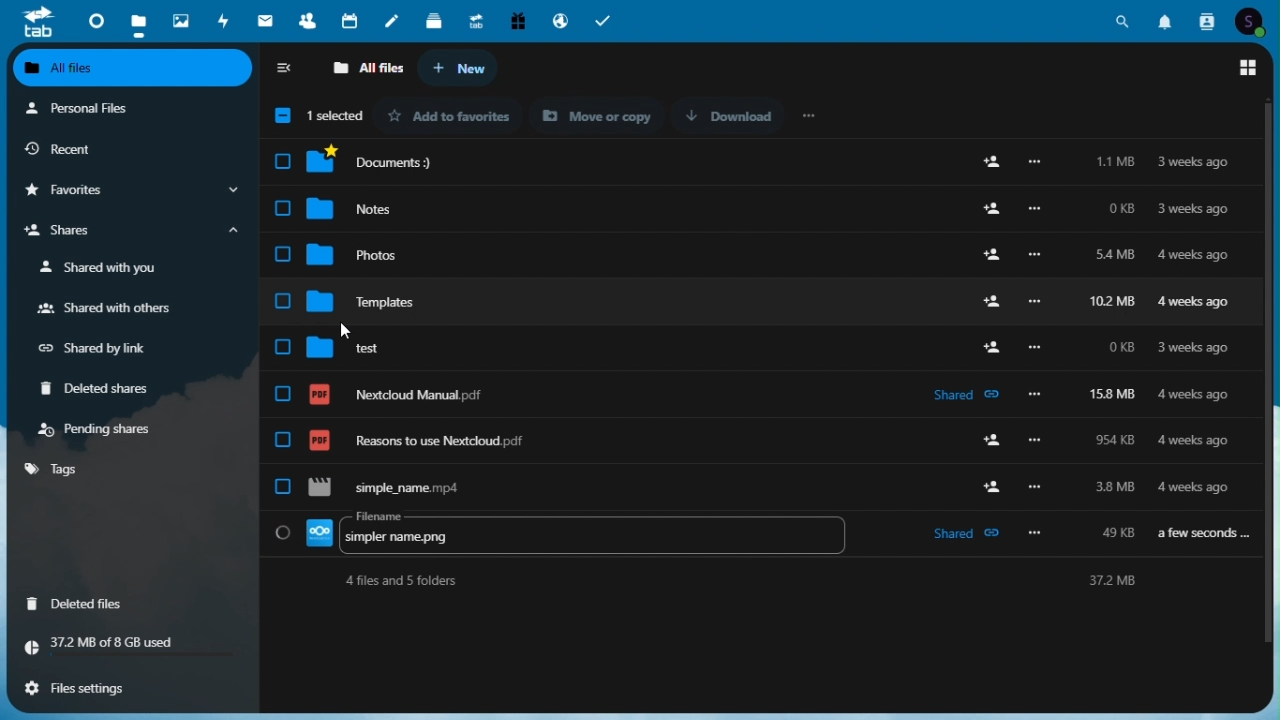  Describe the element at coordinates (55, 469) in the screenshot. I see `tags` at that location.